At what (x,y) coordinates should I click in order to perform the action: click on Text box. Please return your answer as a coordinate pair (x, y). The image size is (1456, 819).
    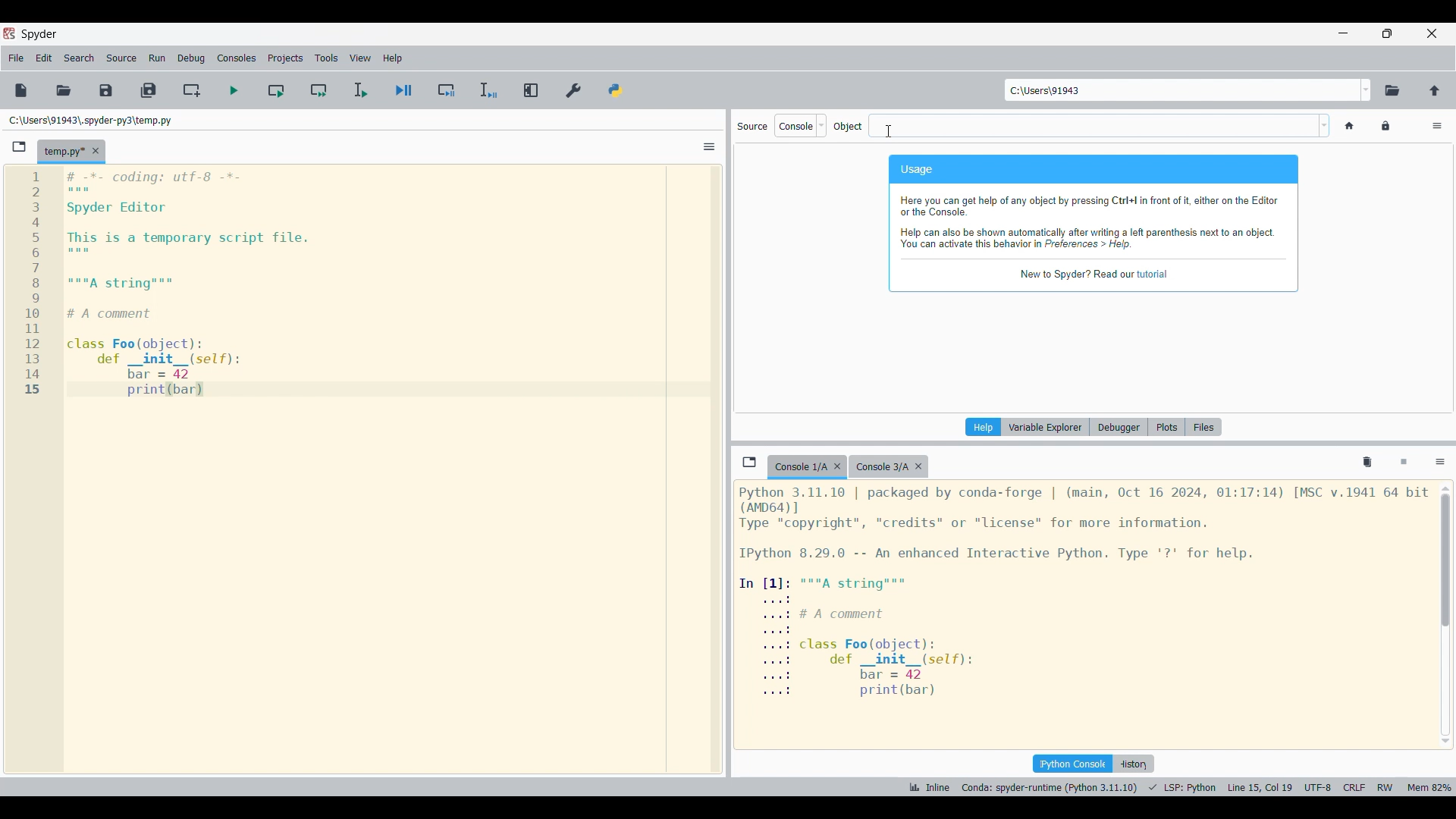
    Looking at the image, I should click on (1092, 126).